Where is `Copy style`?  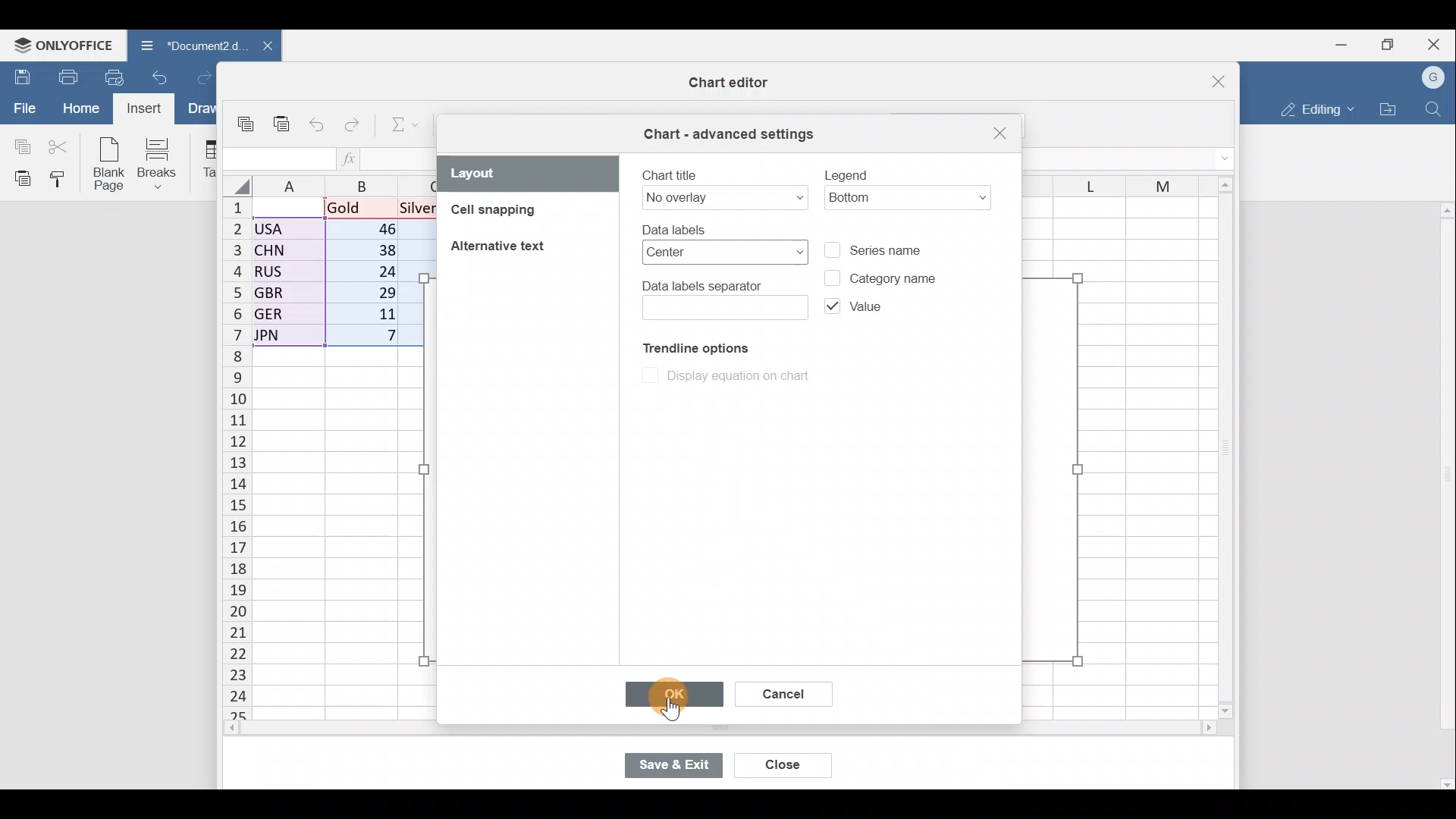
Copy style is located at coordinates (64, 178).